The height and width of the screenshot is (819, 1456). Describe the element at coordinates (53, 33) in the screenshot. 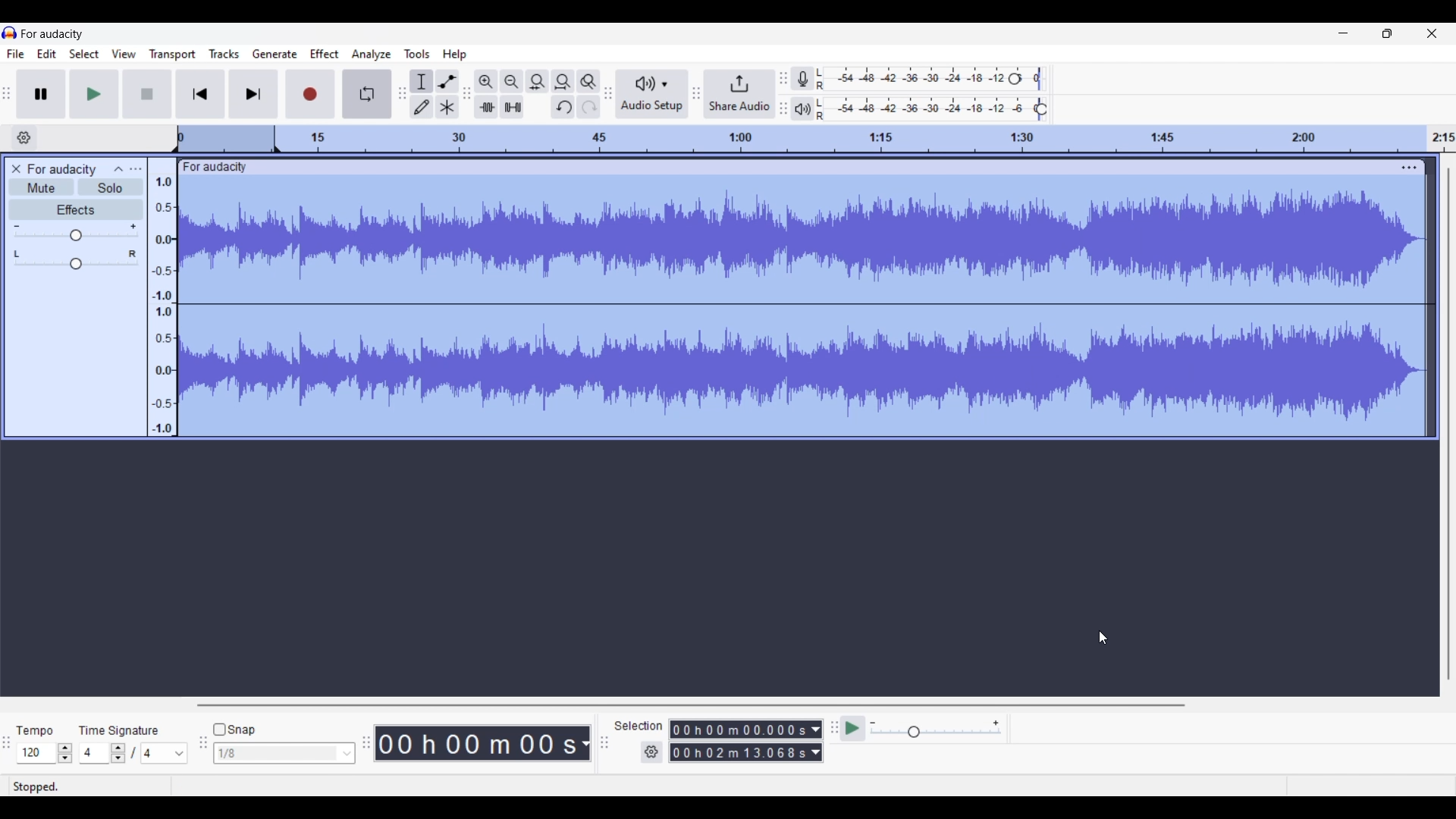

I see `Software name` at that location.